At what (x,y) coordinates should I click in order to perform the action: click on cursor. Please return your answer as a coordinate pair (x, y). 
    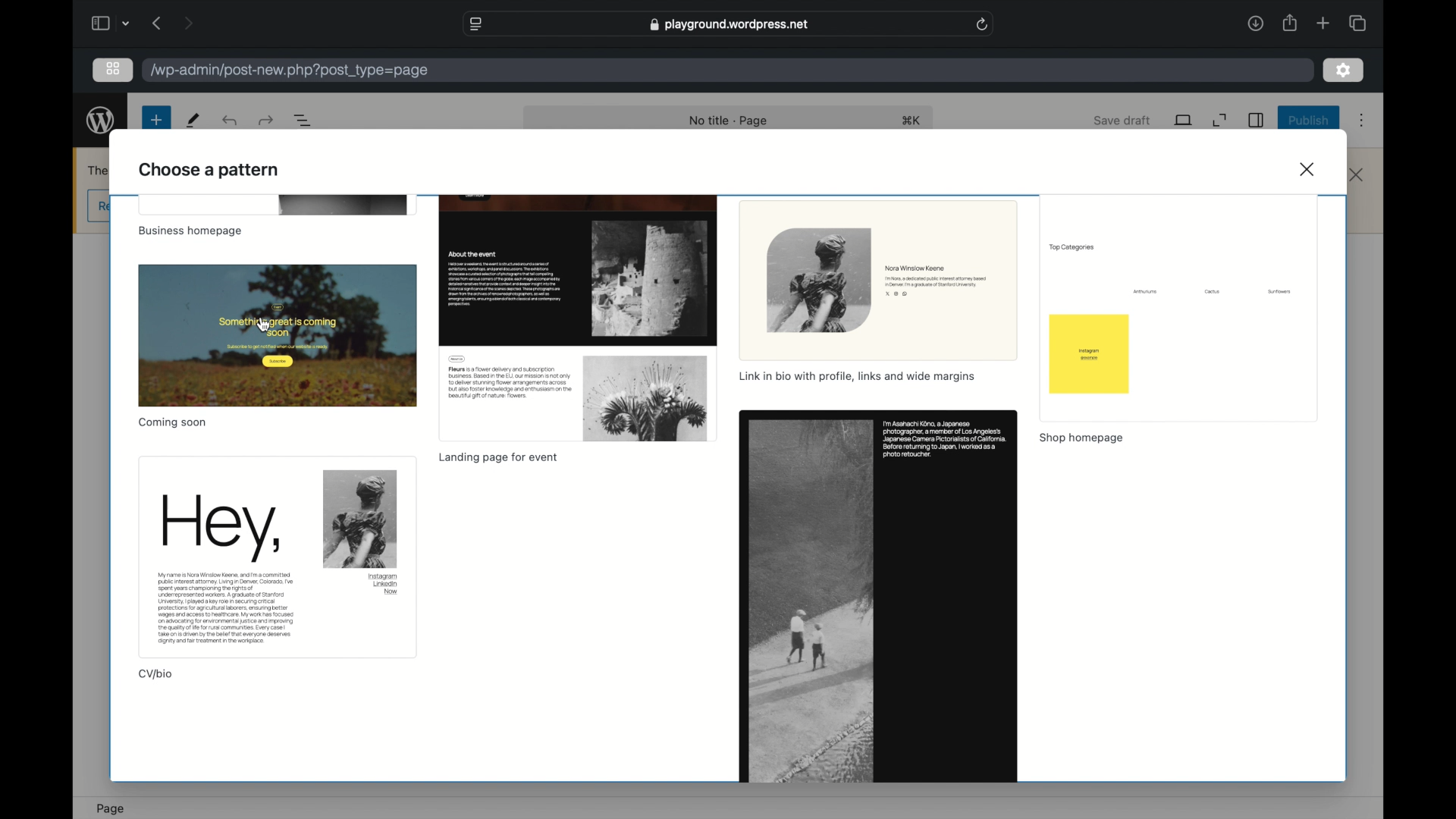
    Looking at the image, I should click on (264, 325).